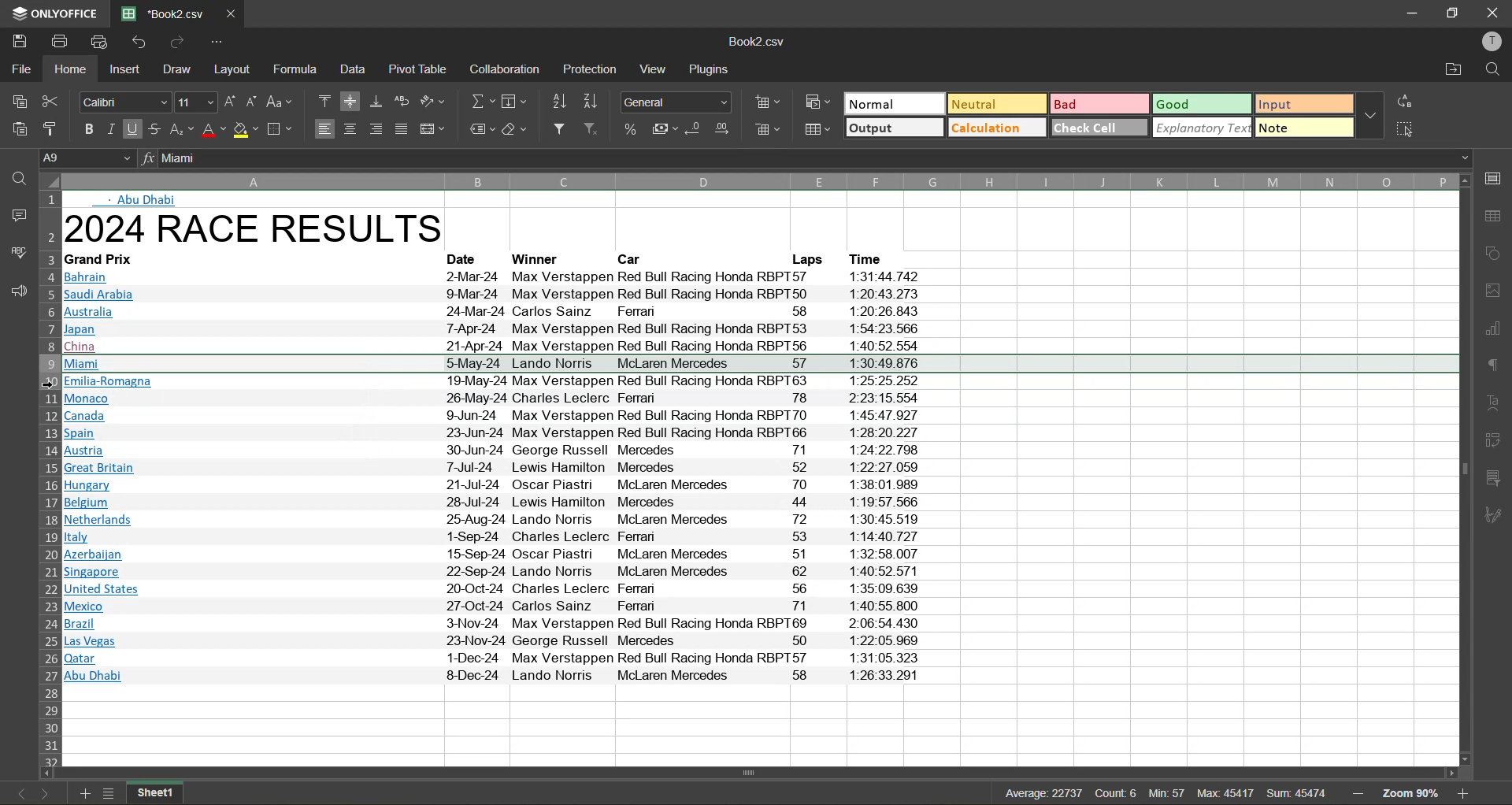  I want to click on data, so click(356, 70).